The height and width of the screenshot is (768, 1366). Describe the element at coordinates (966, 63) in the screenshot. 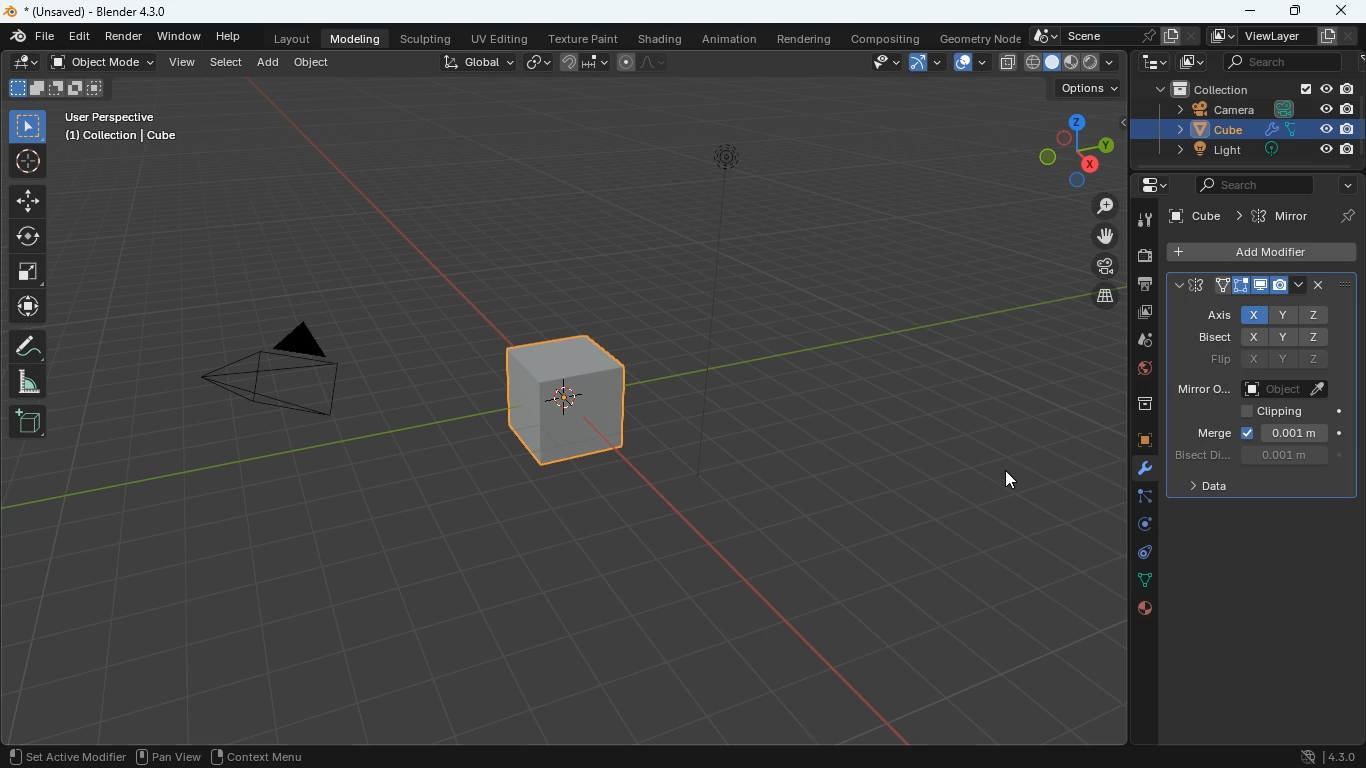

I see `overlap` at that location.